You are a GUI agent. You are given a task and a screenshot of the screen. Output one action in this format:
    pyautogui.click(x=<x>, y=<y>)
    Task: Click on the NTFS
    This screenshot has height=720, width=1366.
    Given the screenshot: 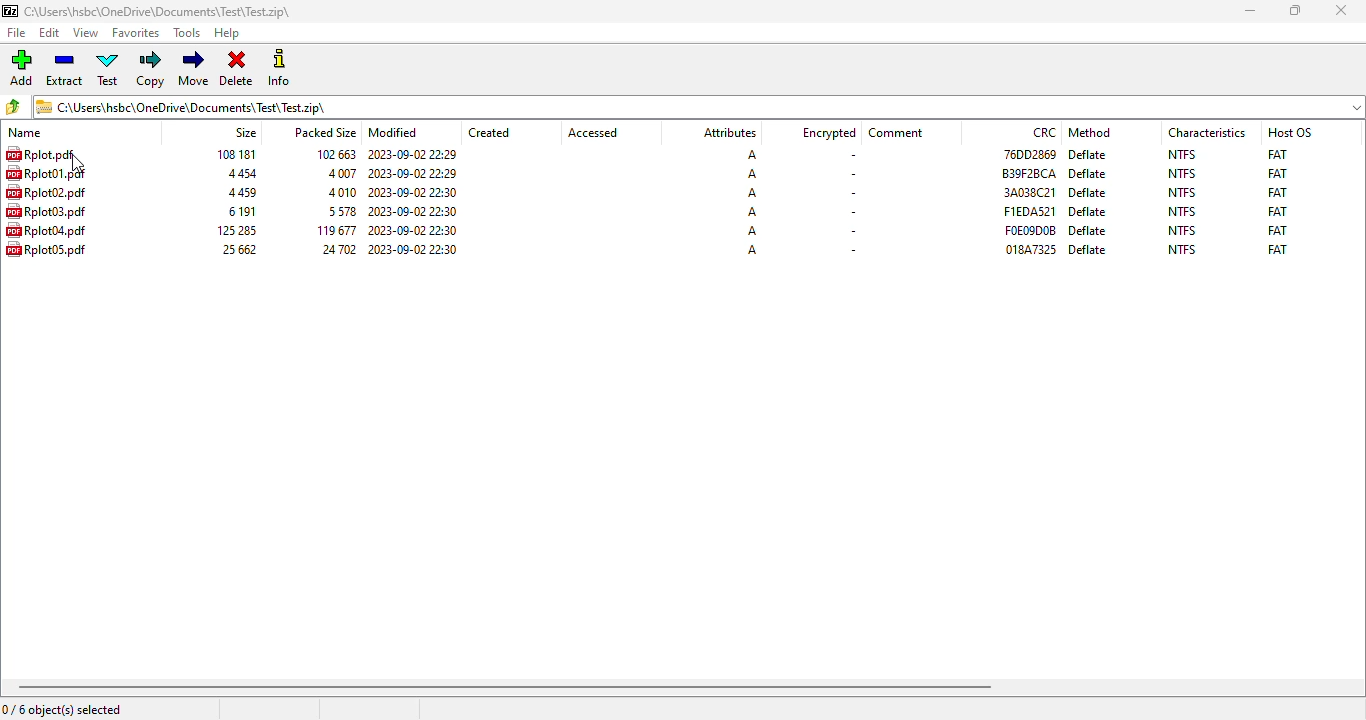 What is the action you would take?
    pyautogui.click(x=1182, y=192)
    